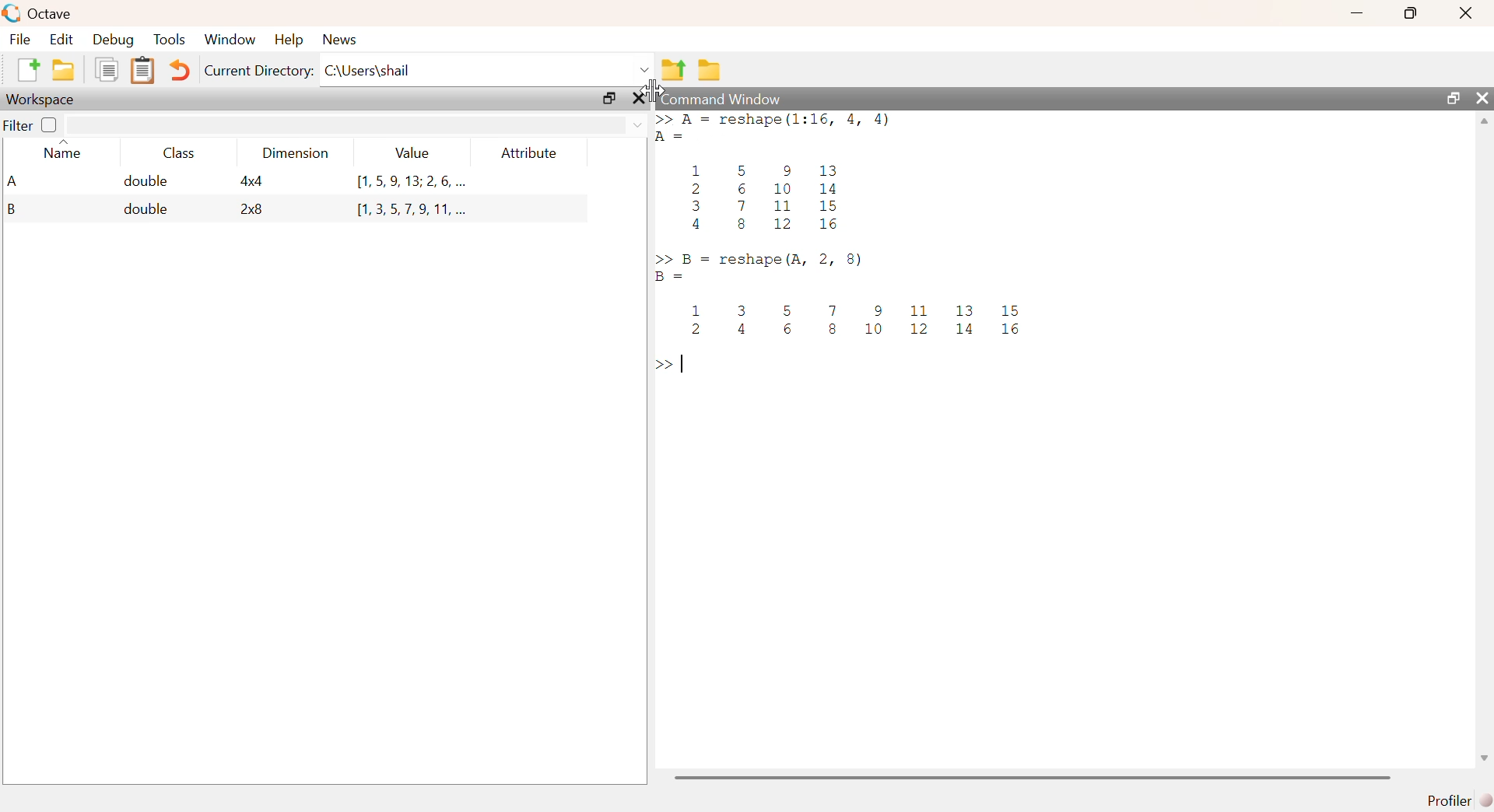 The image size is (1494, 812). What do you see at coordinates (854, 246) in the screenshot?
I see `commands` at bounding box center [854, 246].